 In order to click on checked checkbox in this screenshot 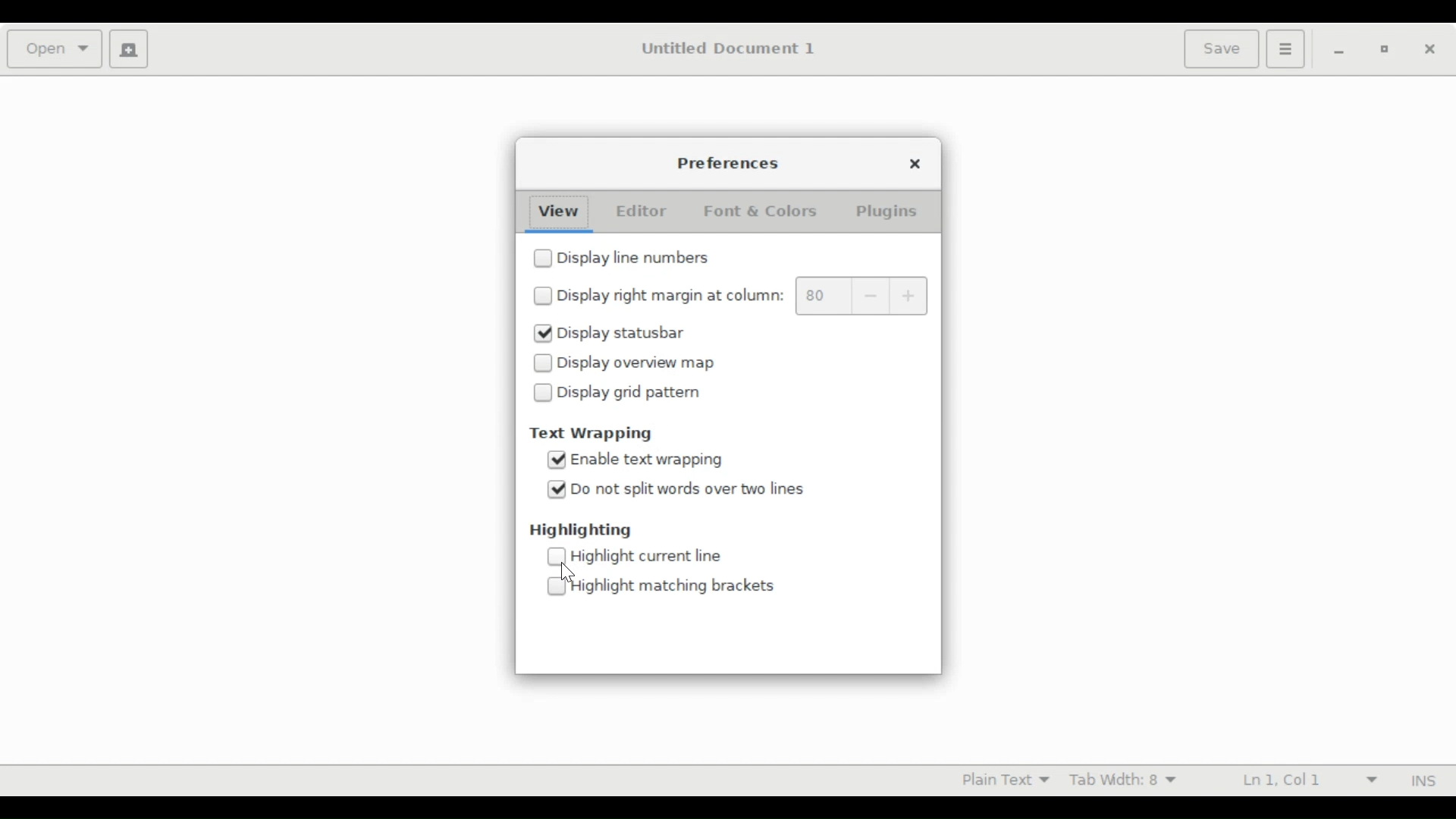, I will do `click(555, 489)`.